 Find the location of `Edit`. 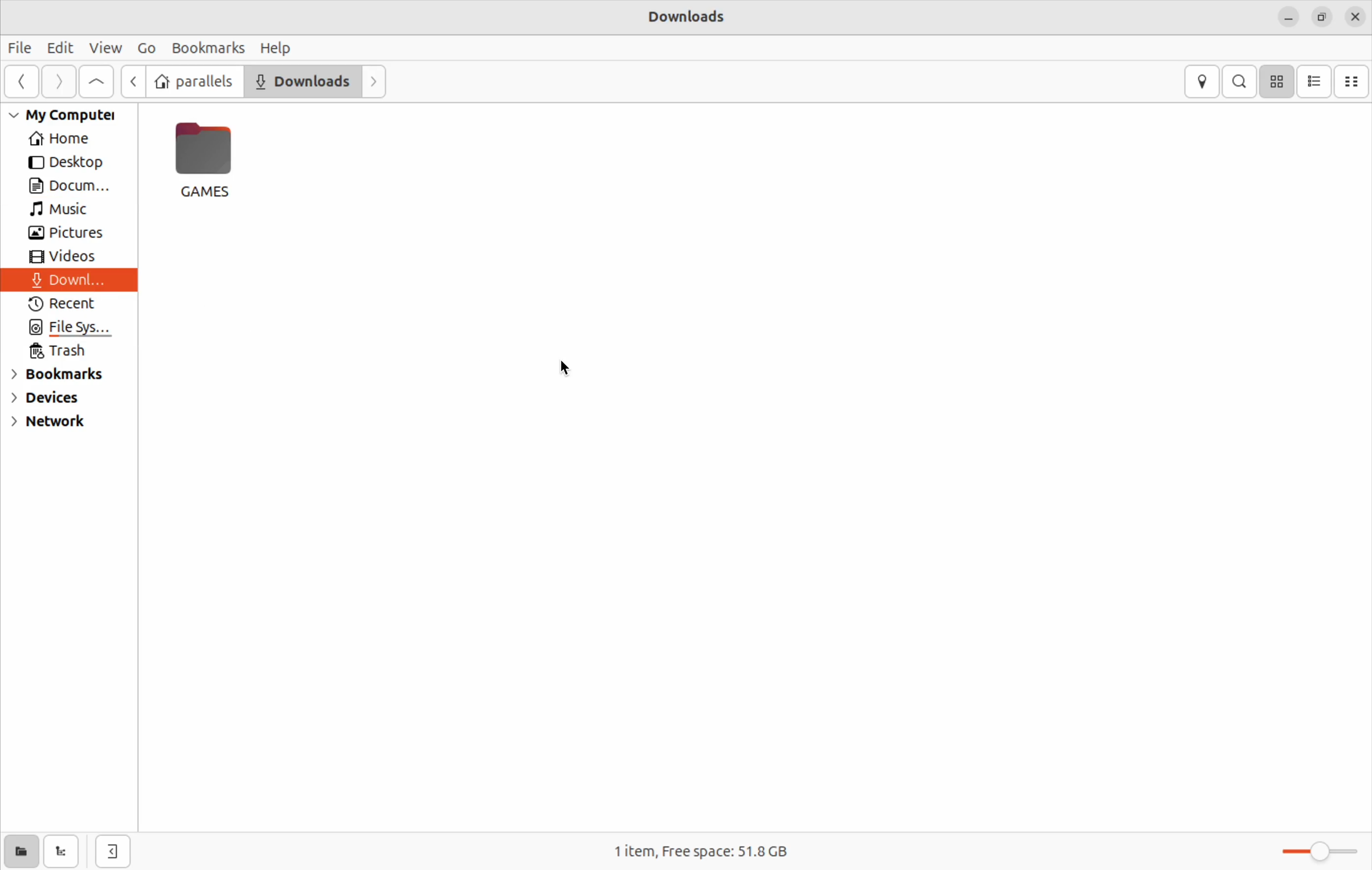

Edit is located at coordinates (59, 46).